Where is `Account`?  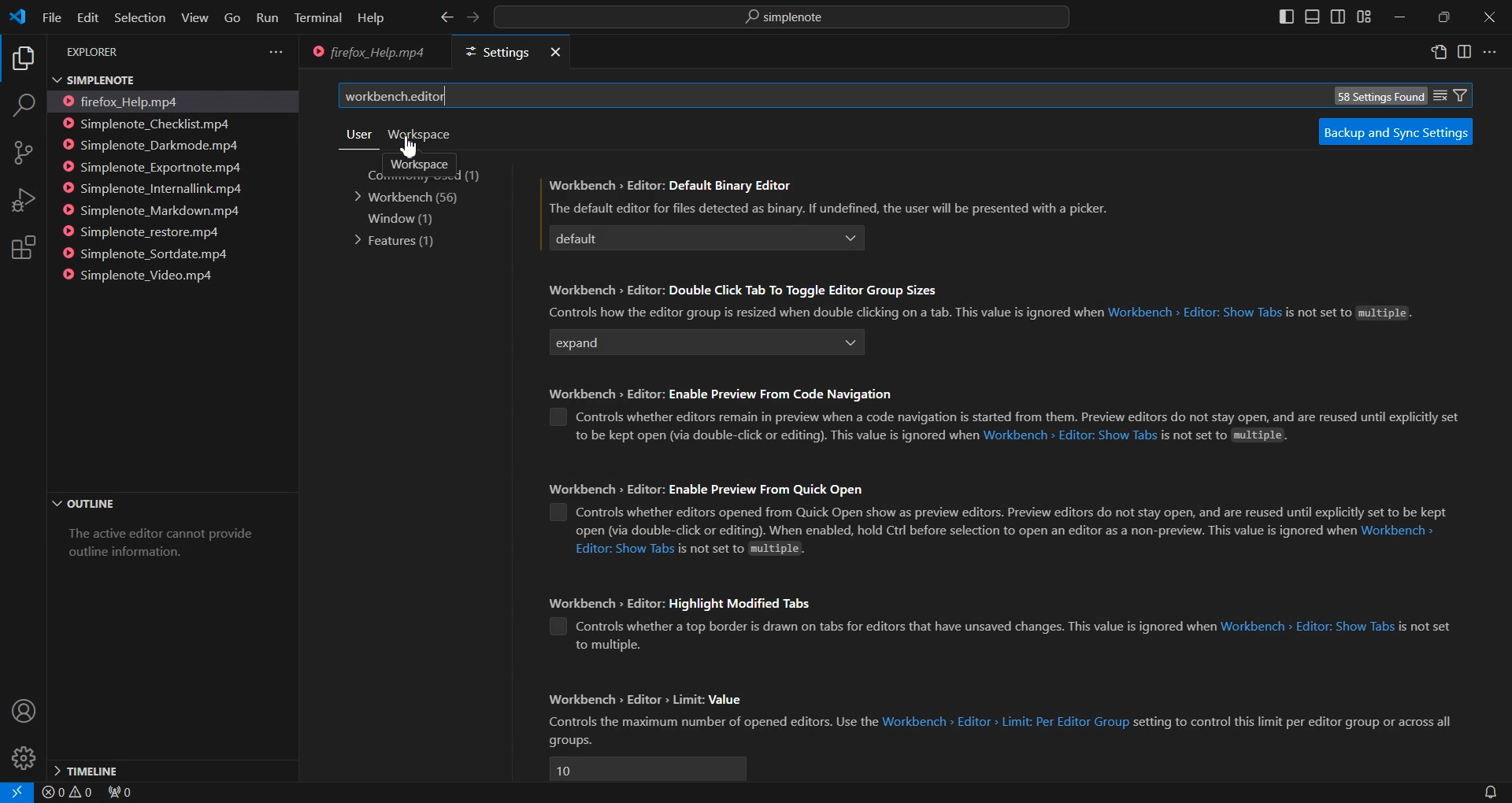 Account is located at coordinates (22, 712).